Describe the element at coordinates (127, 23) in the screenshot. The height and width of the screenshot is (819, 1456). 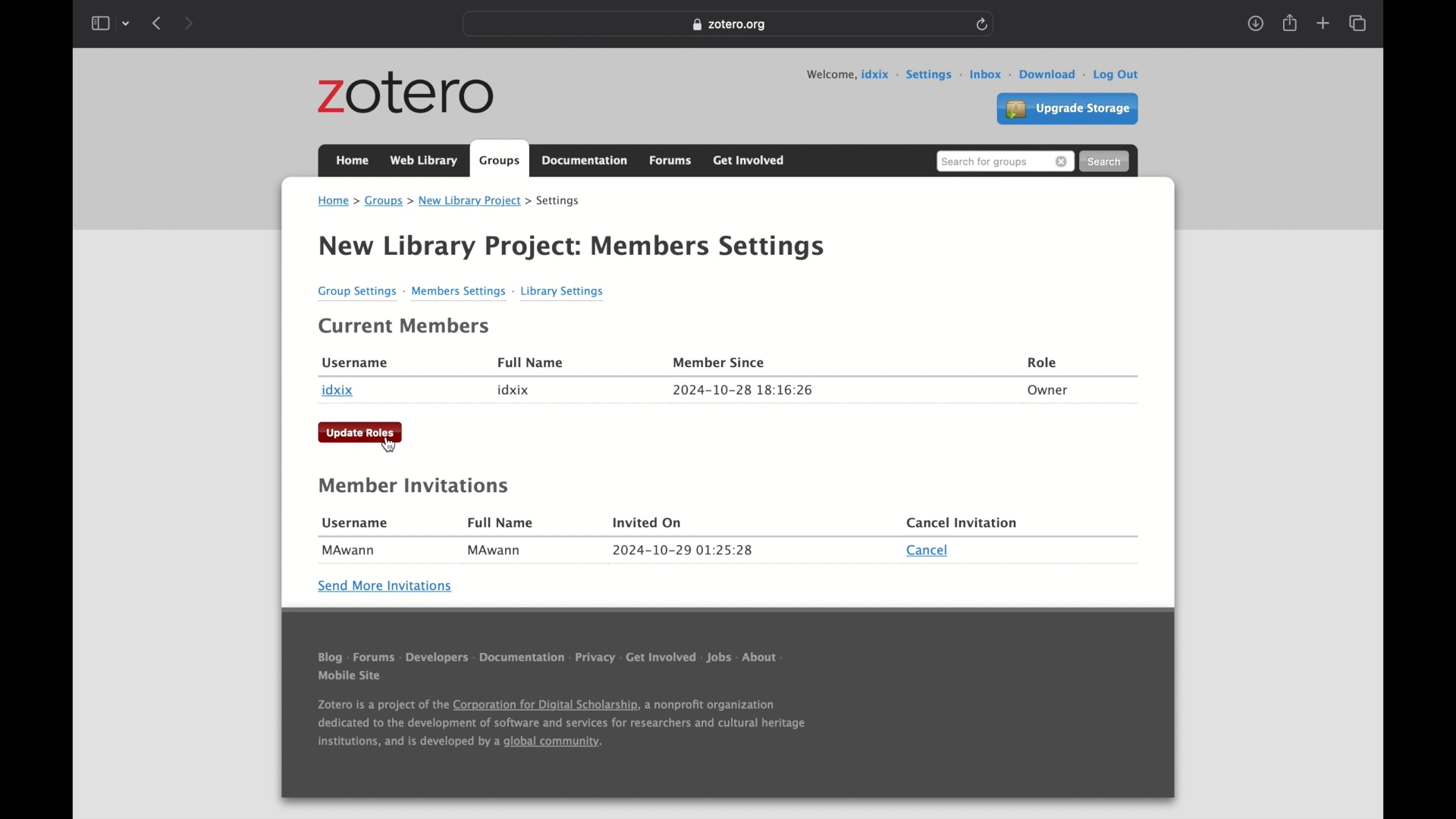
I see `tab group picker` at that location.